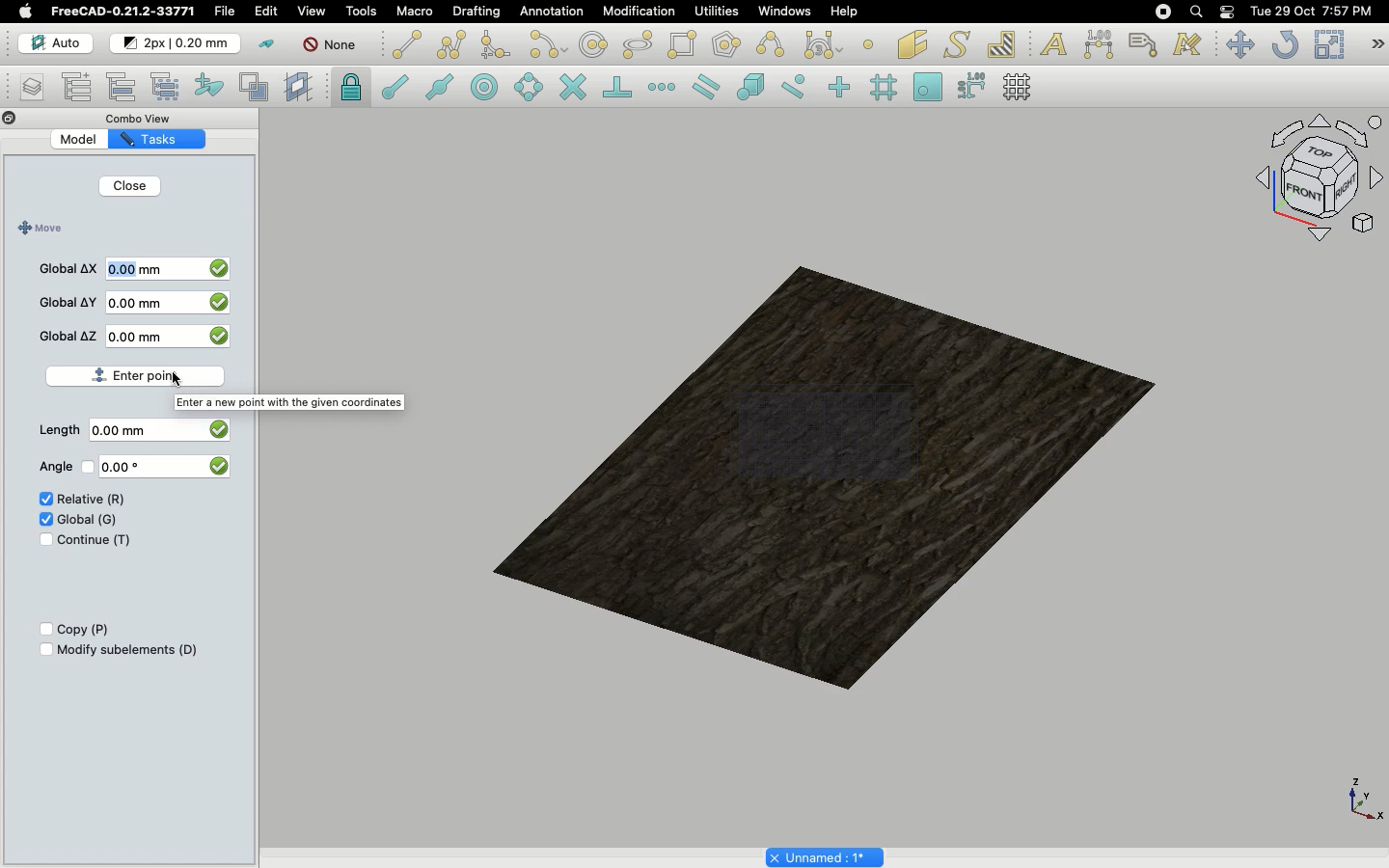 The height and width of the screenshot is (868, 1389). What do you see at coordinates (1019, 87) in the screenshot?
I see `Toggle grid` at bounding box center [1019, 87].